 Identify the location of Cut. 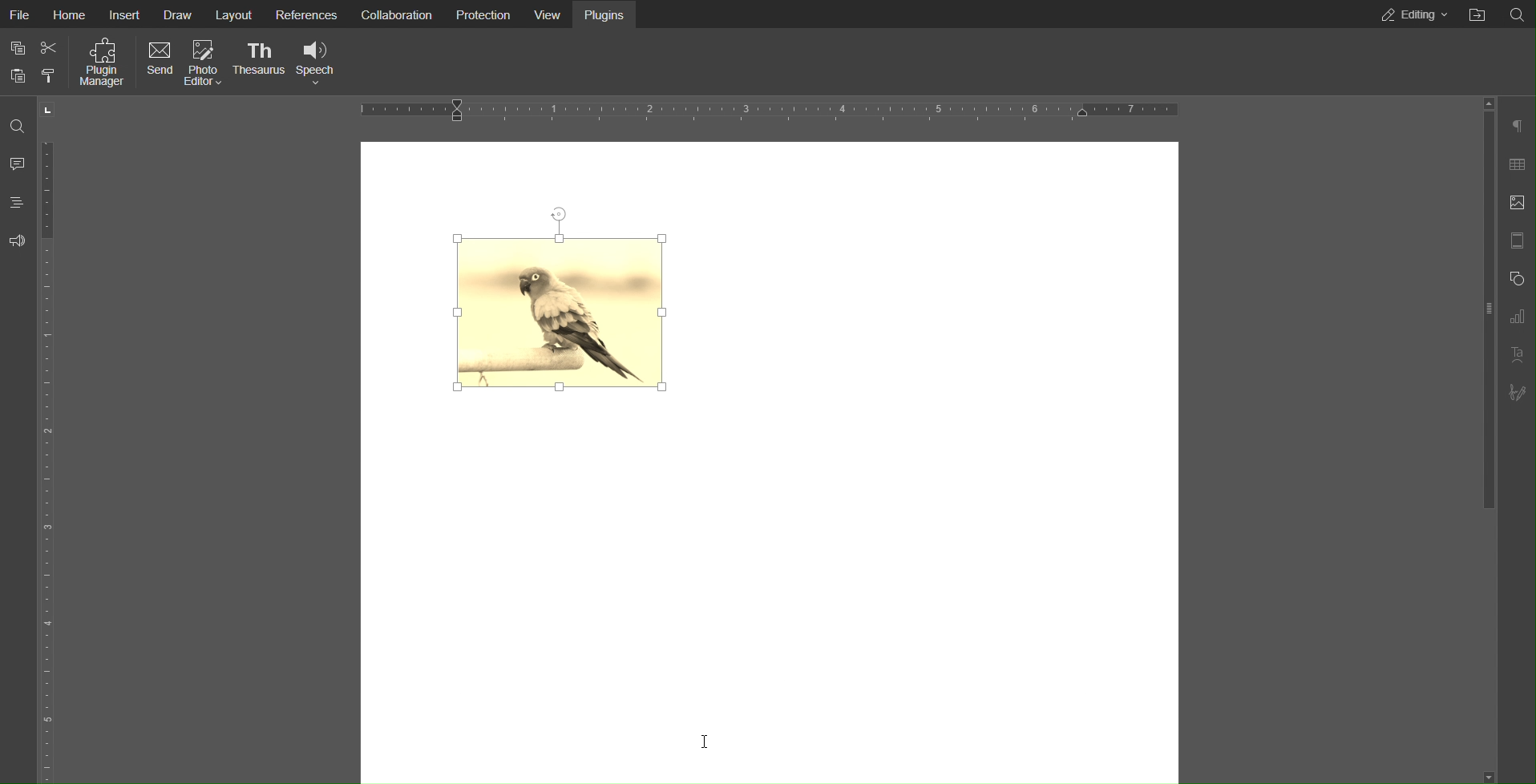
(51, 44).